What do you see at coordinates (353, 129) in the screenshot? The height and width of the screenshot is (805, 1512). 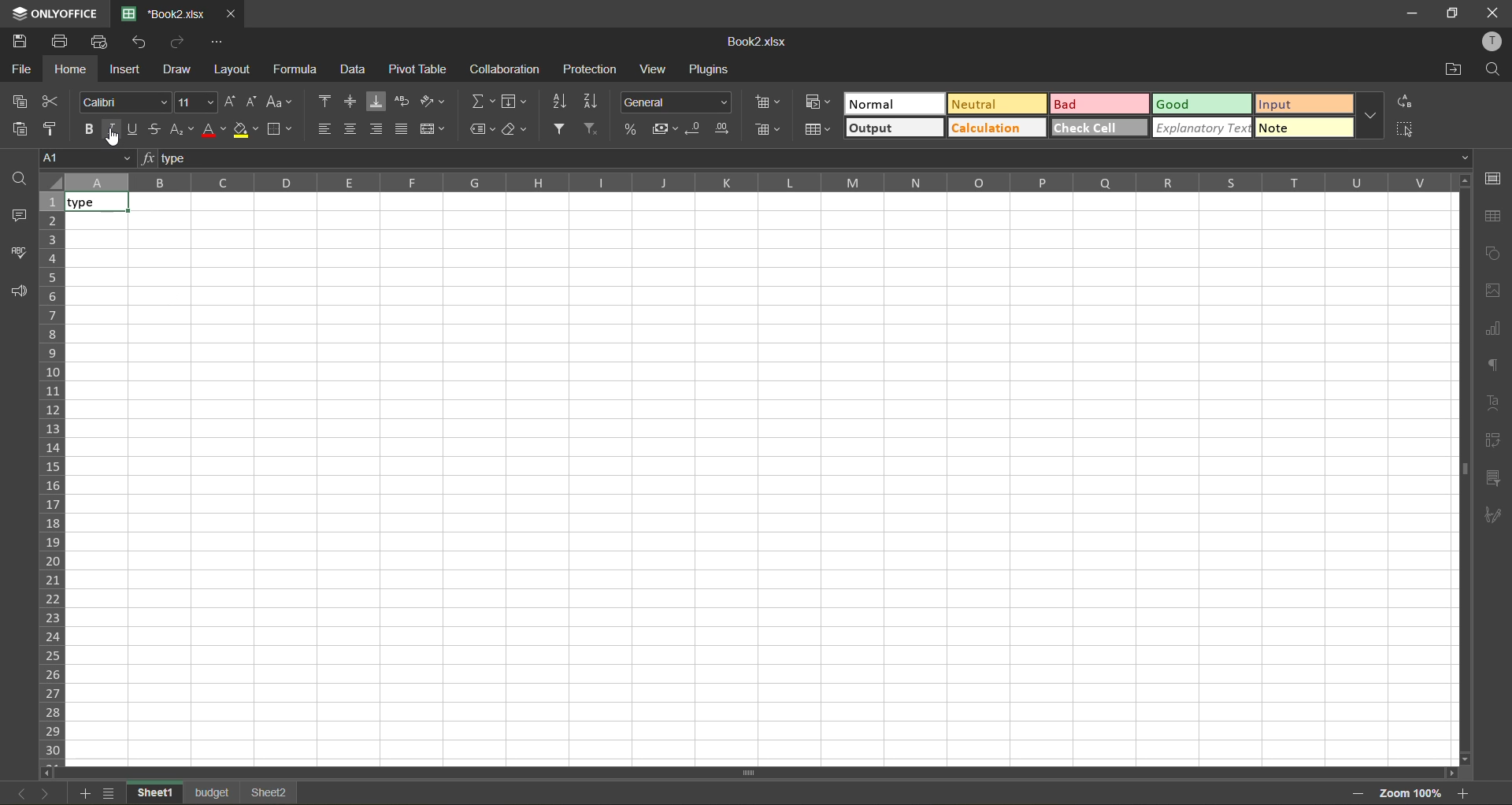 I see `align center` at bounding box center [353, 129].